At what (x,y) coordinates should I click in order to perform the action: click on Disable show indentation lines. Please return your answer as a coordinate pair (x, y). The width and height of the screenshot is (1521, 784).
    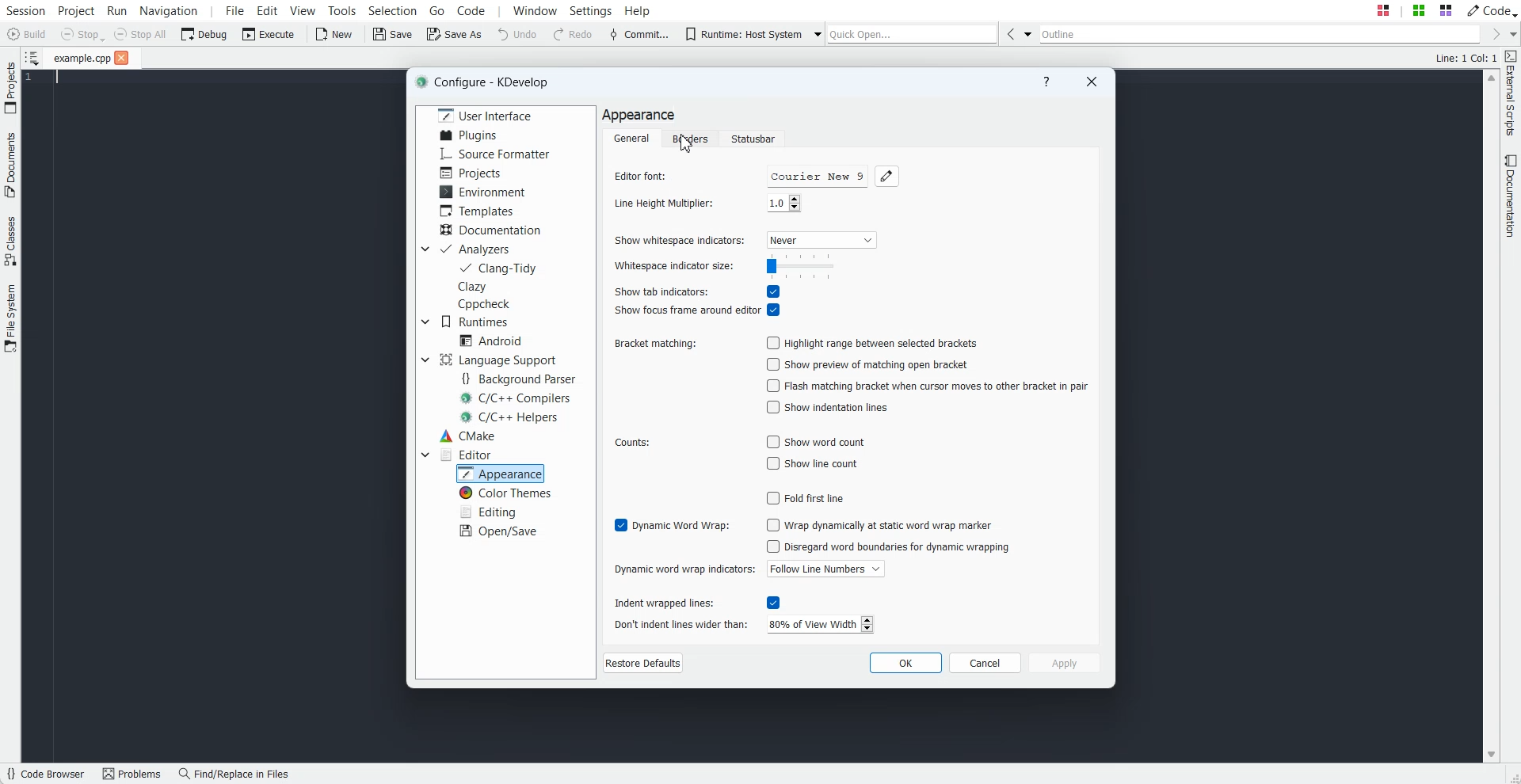
    Looking at the image, I should click on (831, 407).